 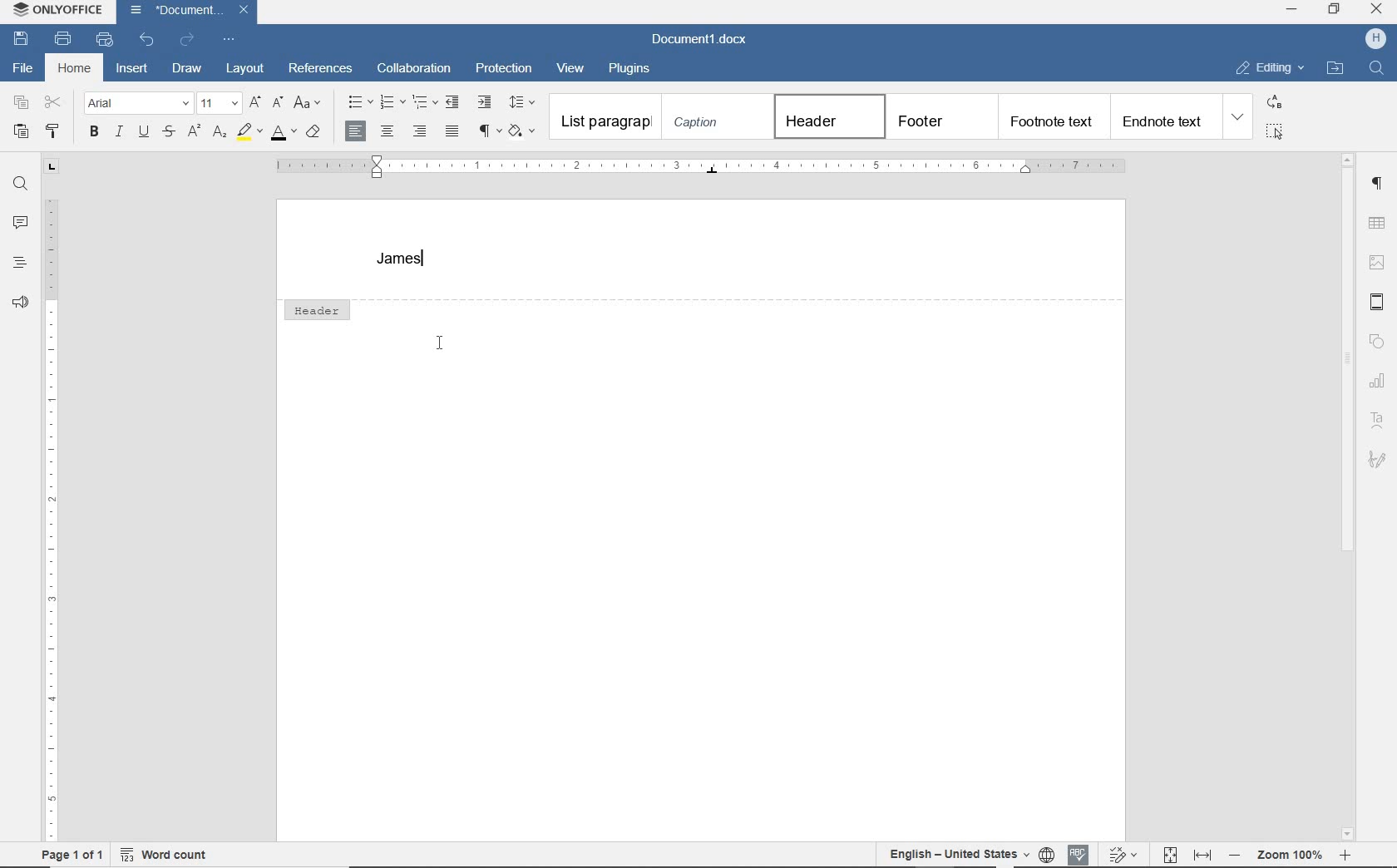 I want to click on EXPAND, so click(x=1239, y=118).